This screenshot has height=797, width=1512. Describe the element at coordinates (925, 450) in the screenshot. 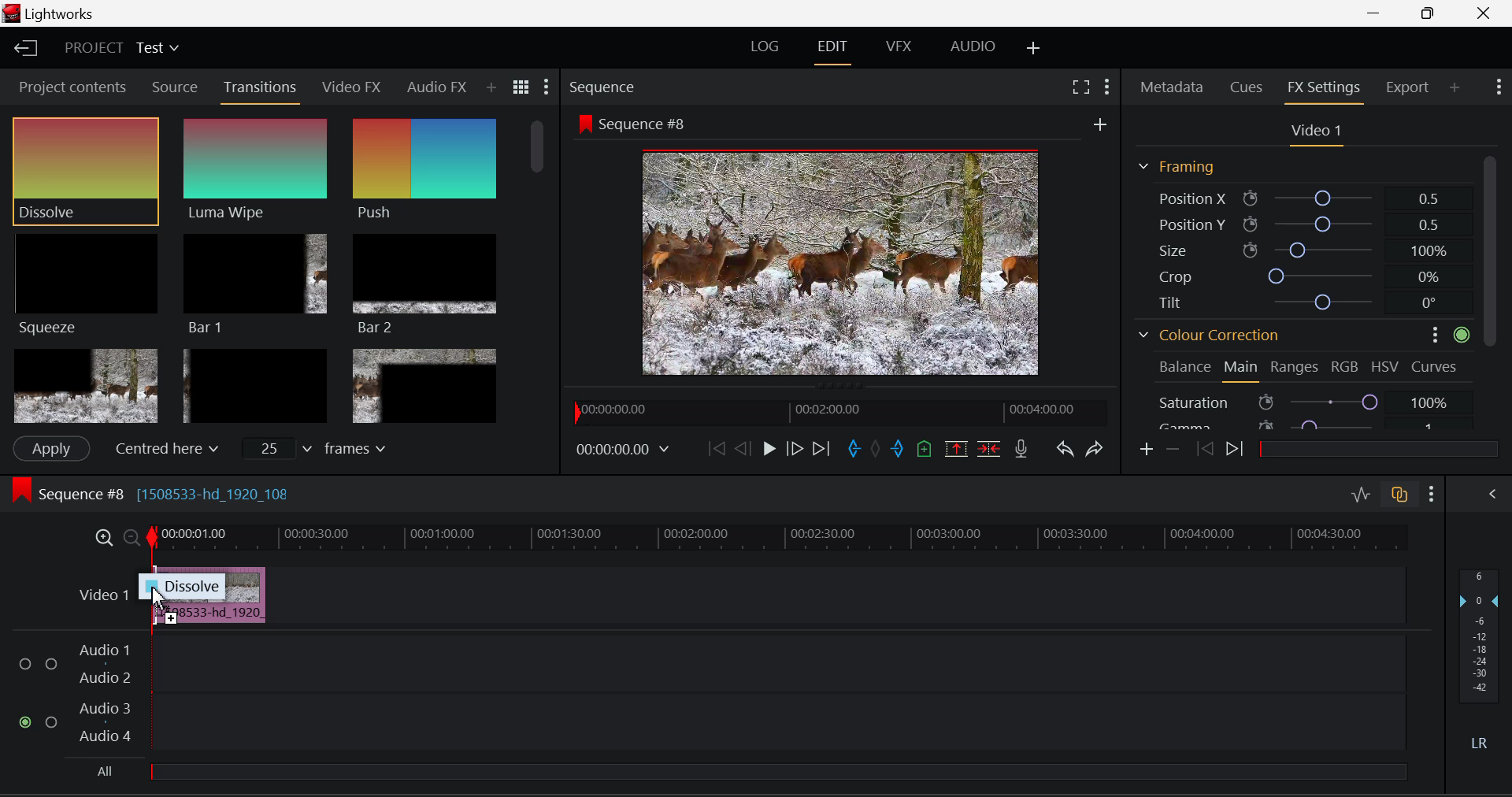

I see `Mark Cue` at that location.